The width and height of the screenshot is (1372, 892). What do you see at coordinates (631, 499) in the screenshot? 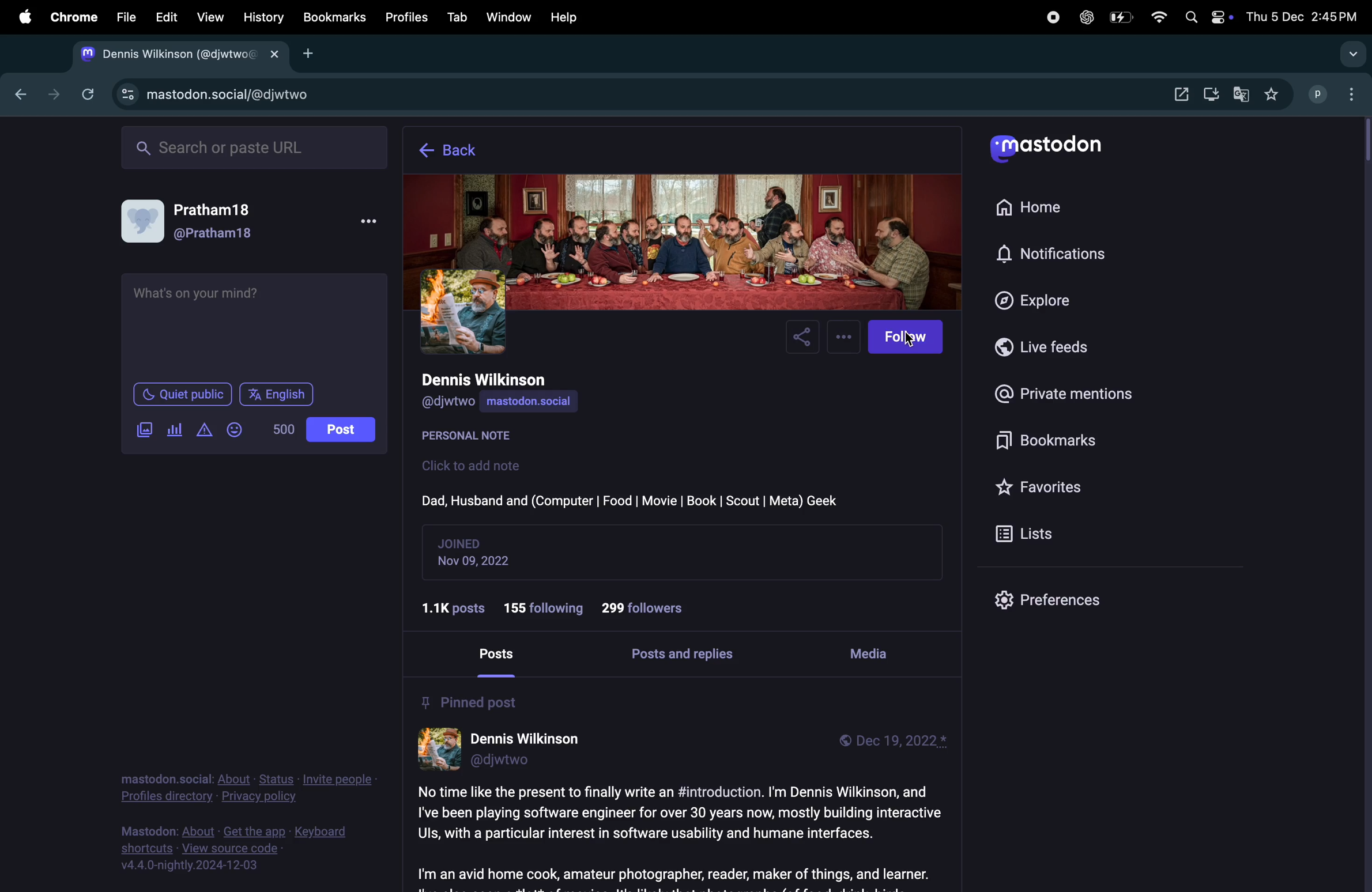
I see `dad husband` at bounding box center [631, 499].